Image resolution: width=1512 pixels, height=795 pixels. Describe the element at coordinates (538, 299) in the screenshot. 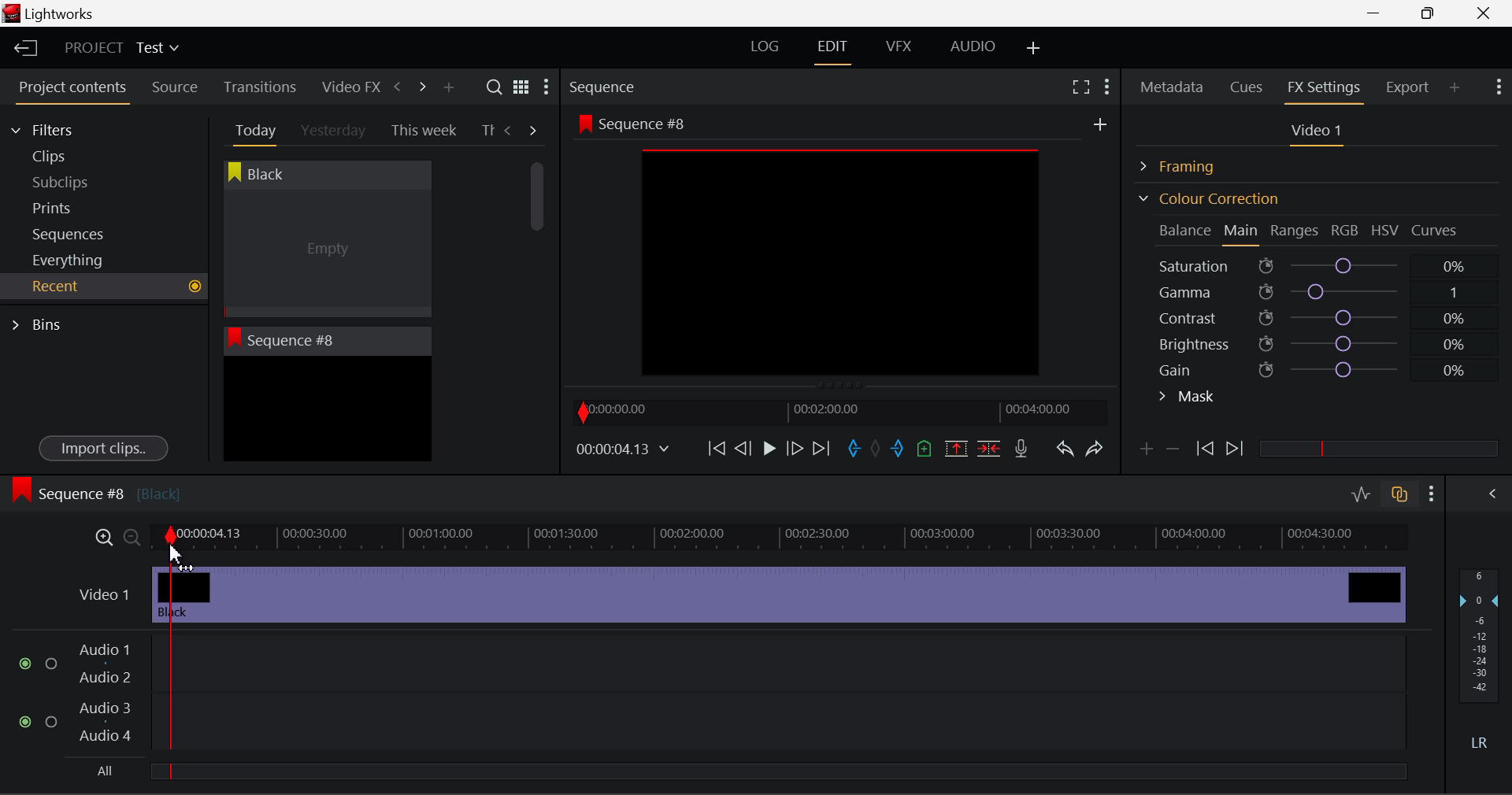

I see `Scroll Bar` at that location.